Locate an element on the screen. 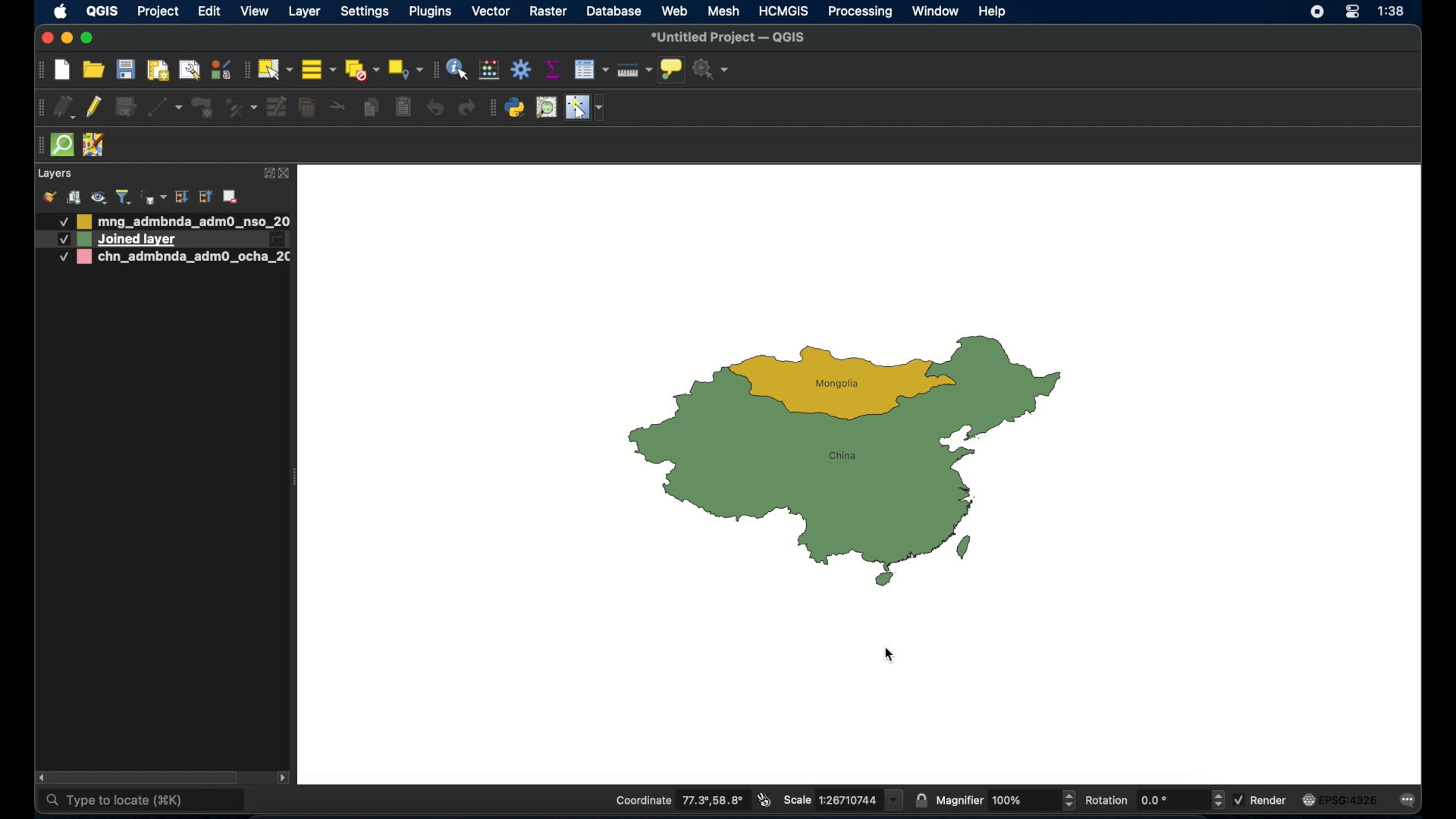 The width and height of the screenshot is (1456, 819). quick osm is located at coordinates (63, 146).